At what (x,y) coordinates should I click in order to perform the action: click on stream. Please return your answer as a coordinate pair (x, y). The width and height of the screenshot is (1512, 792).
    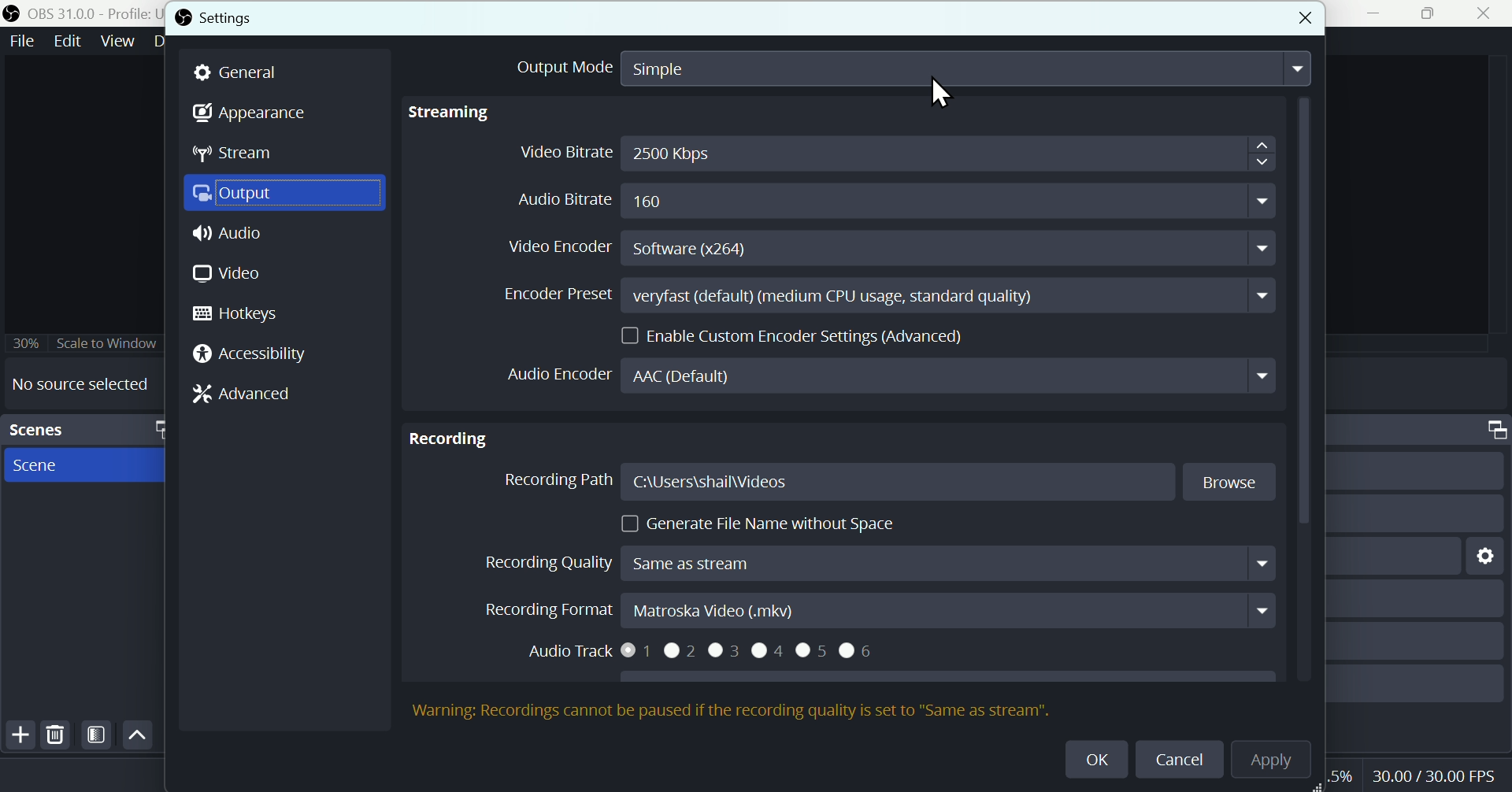
    Looking at the image, I should click on (234, 152).